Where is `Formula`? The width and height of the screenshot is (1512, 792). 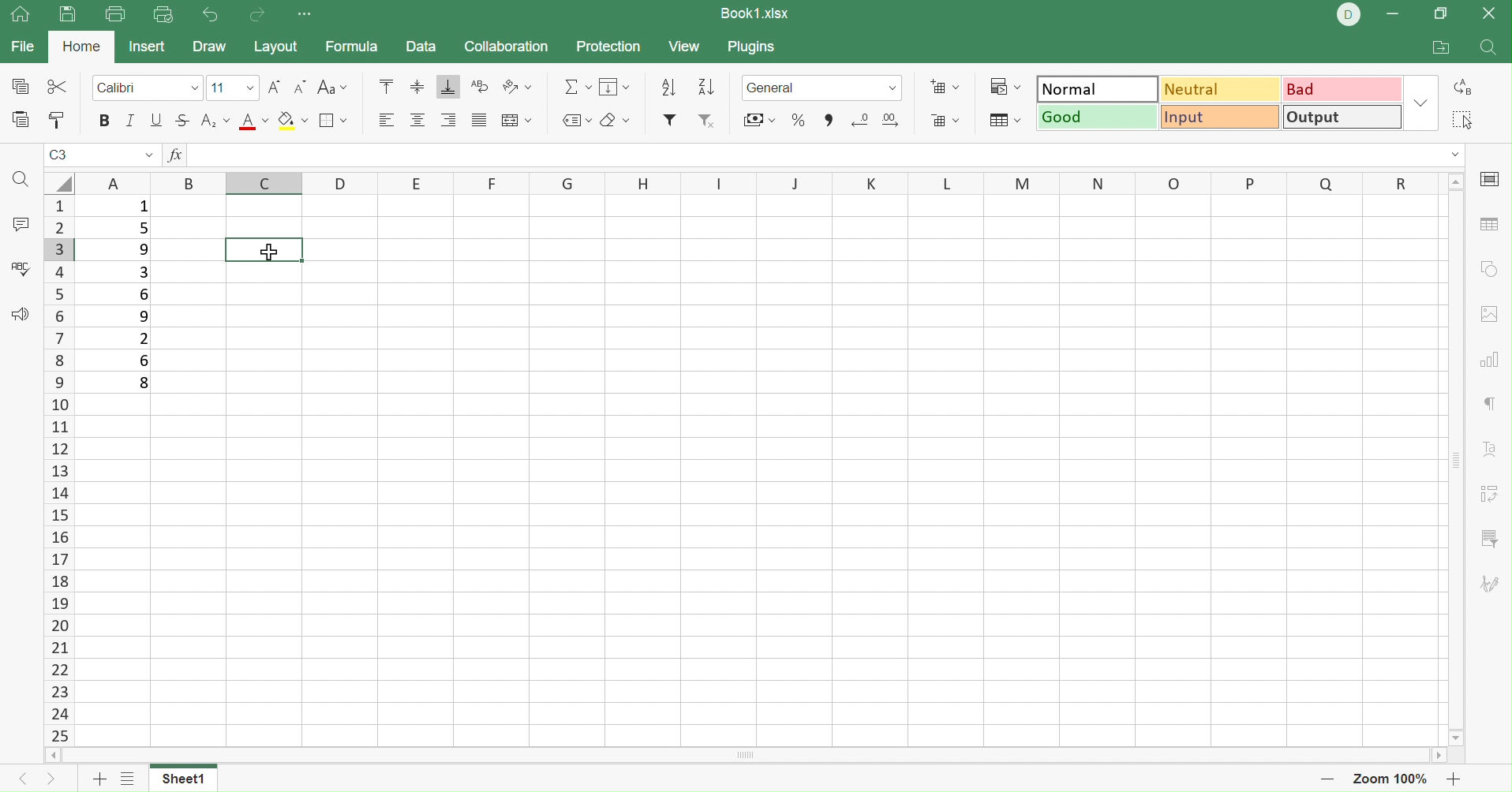
Formula is located at coordinates (352, 47).